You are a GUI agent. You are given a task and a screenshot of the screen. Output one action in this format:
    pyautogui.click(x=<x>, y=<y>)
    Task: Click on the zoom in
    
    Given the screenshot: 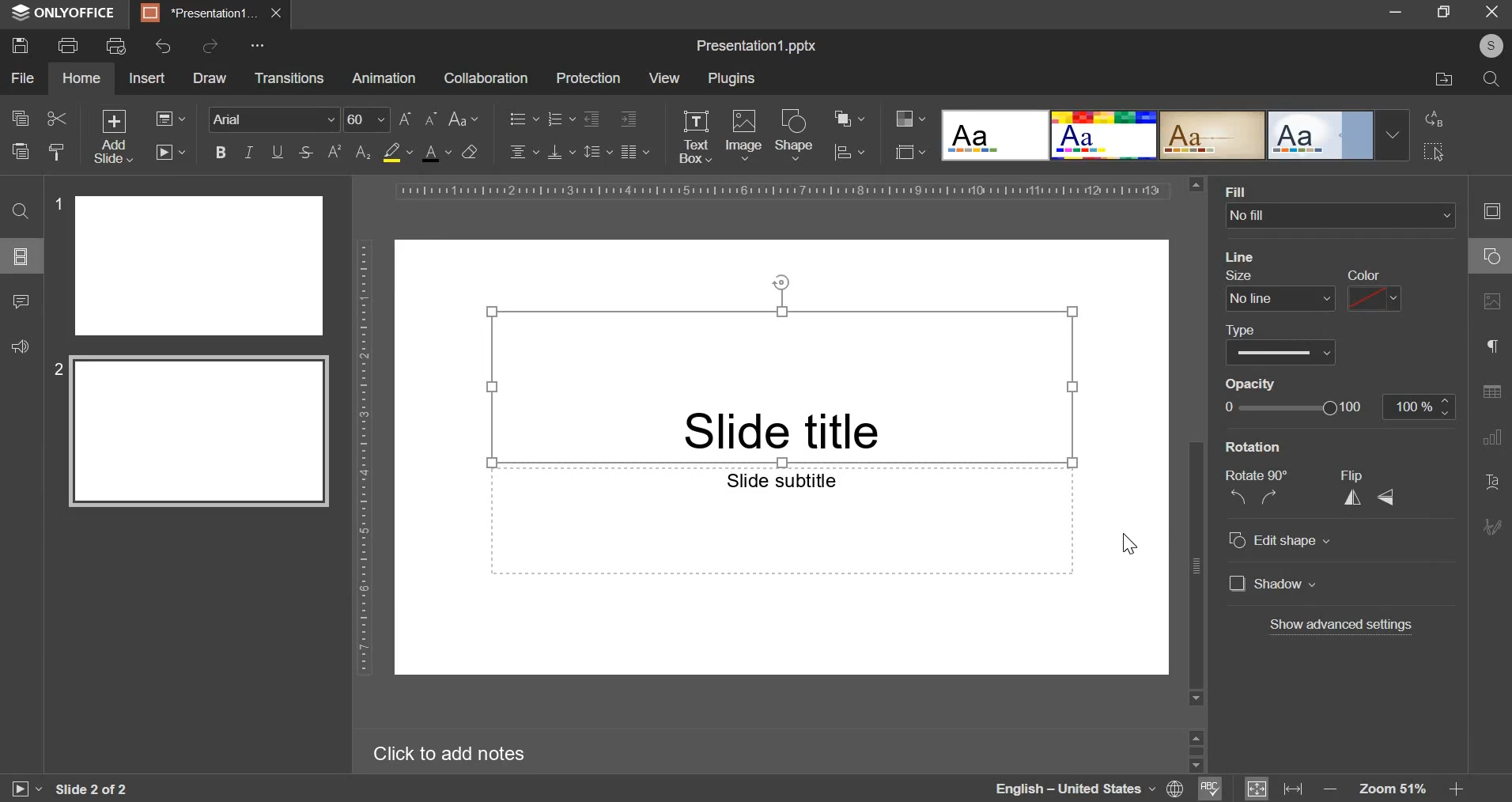 What is the action you would take?
    pyautogui.click(x=1454, y=789)
    